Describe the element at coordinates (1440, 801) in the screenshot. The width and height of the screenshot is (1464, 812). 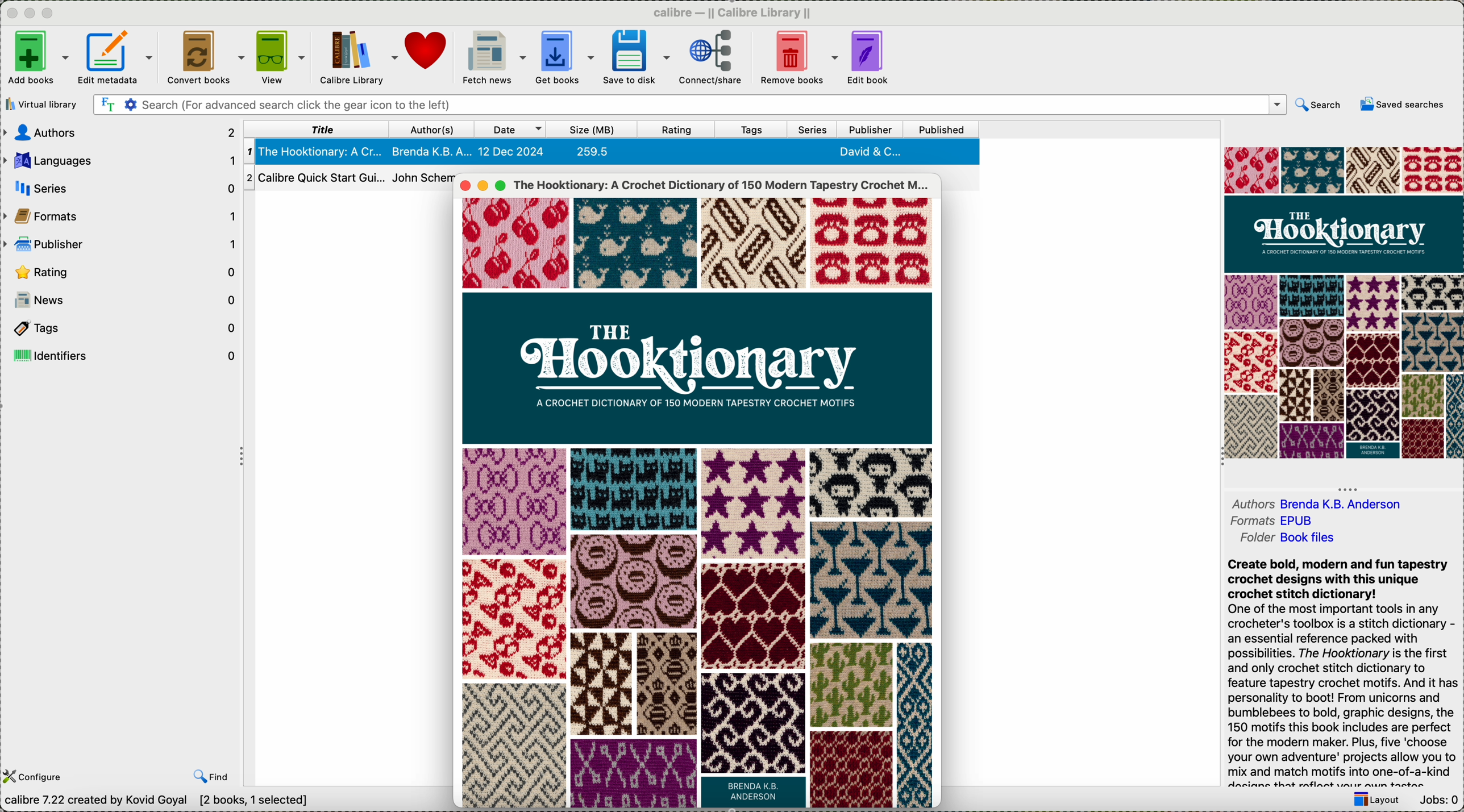
I see `Jobs: 0` at that location.